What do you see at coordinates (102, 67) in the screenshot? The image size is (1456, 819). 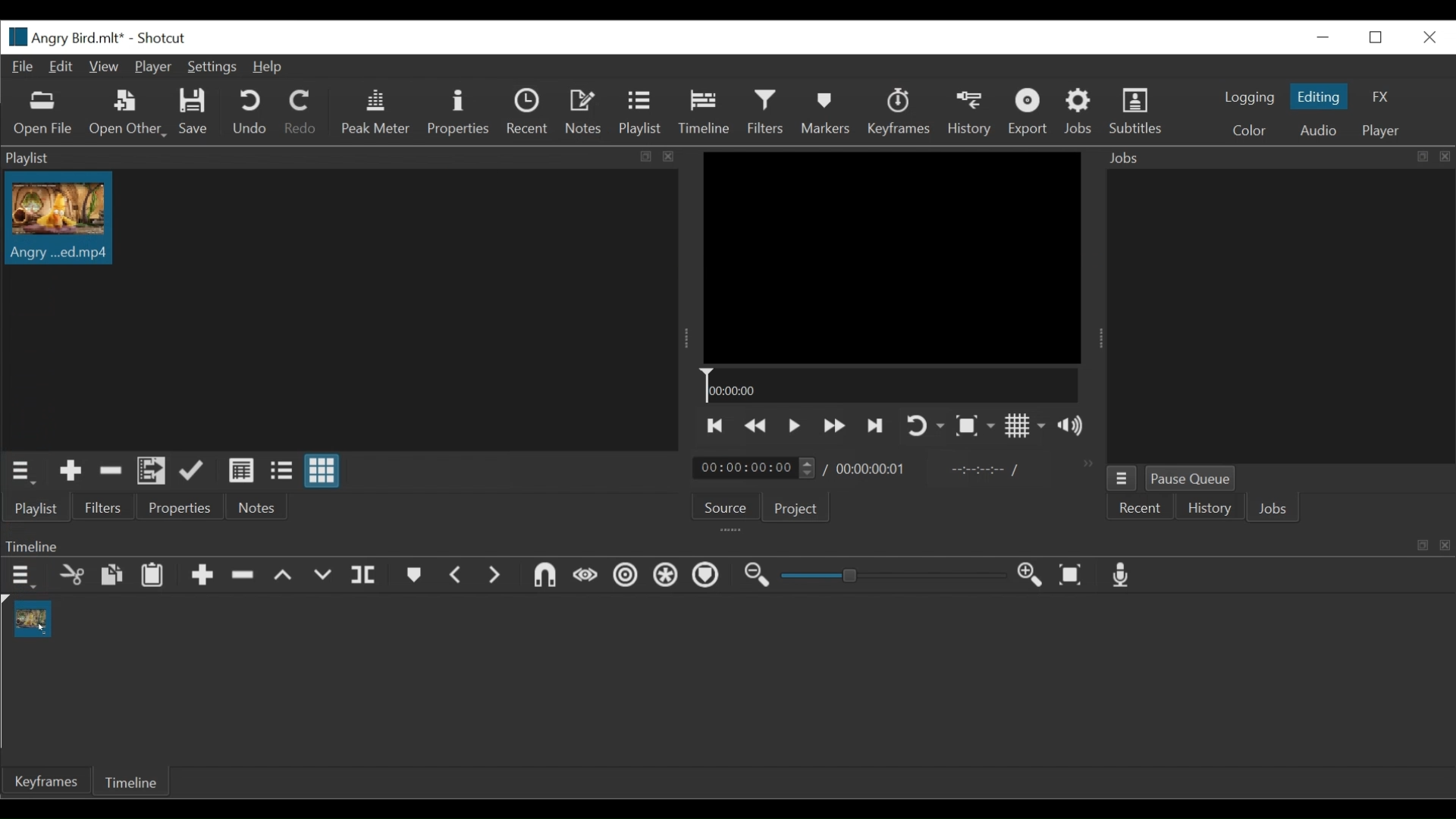 I see `View` at bounding box center [102, 67].